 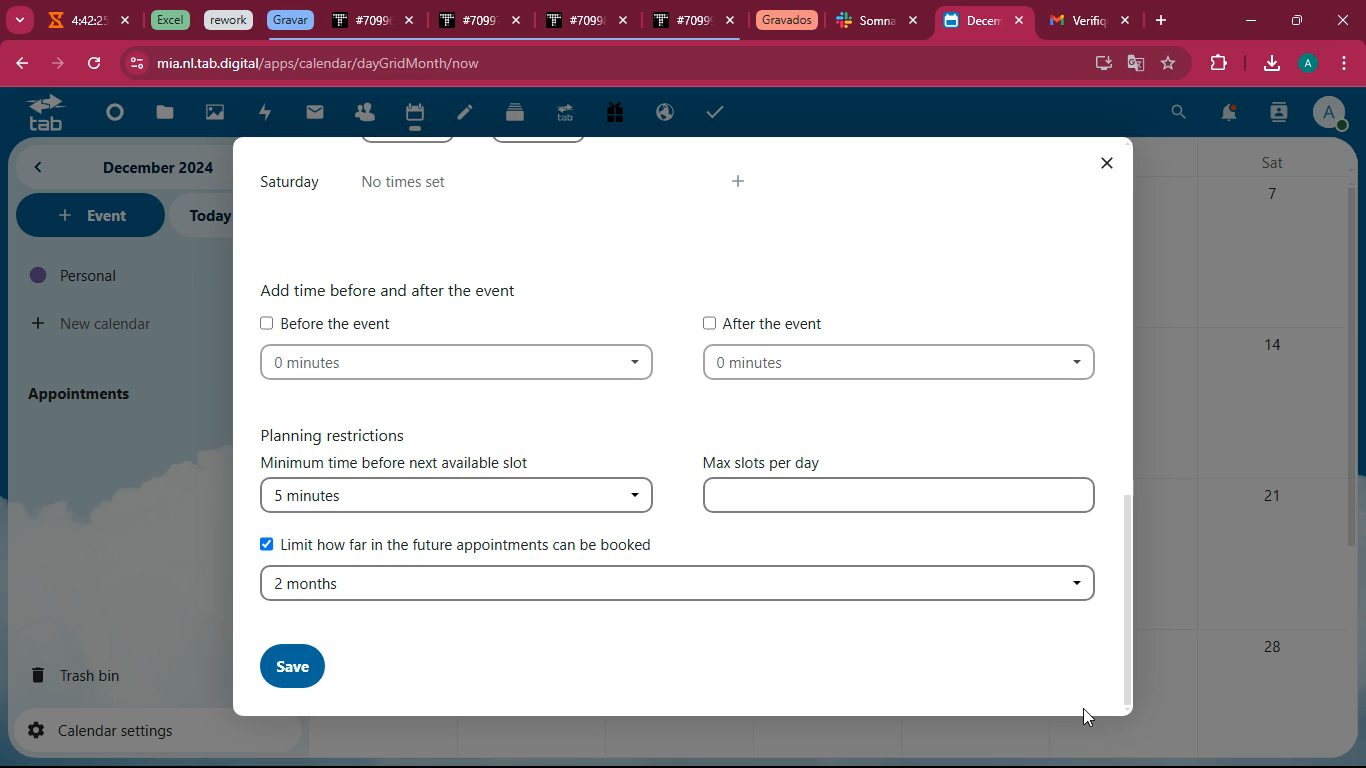 What do you see at coordinates (161, 114) in the screenshot?
I see `files` at bounding box center [161, 114].